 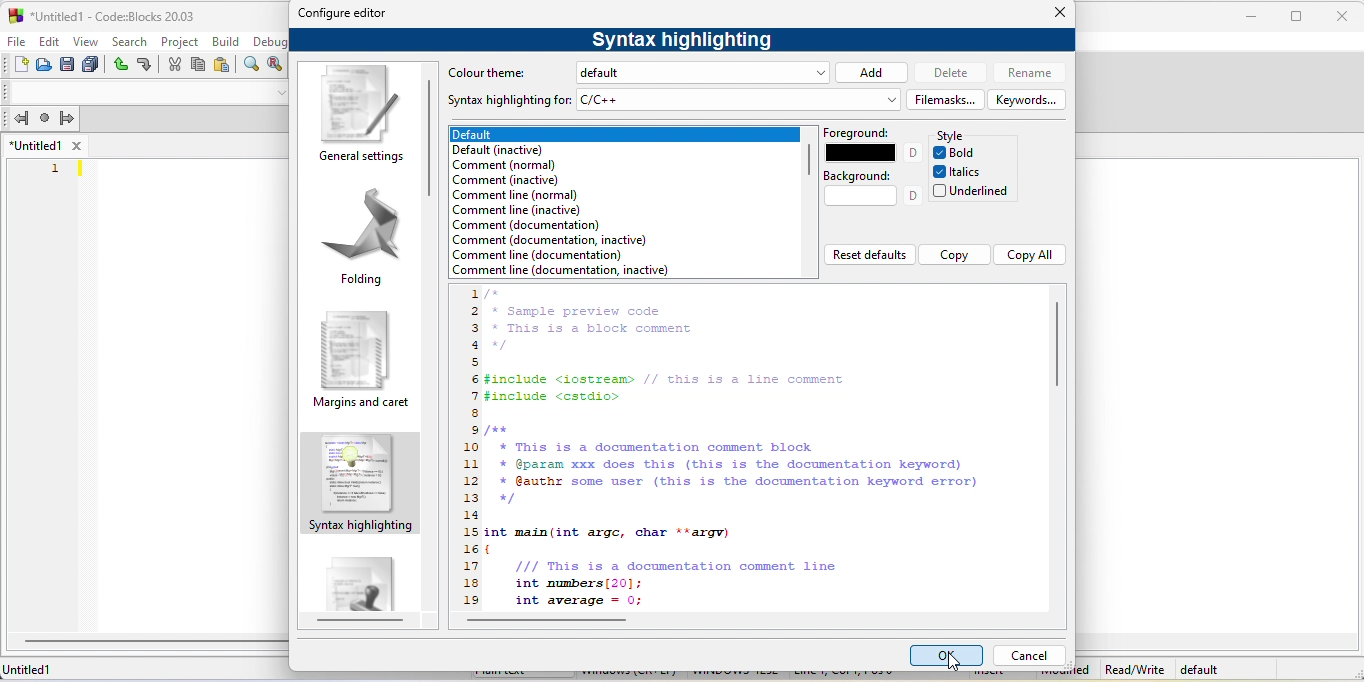 What do you see at coordinates (516, 210) in the screenshot?
I see `comment line inactive` at bounding box center [516, 210].